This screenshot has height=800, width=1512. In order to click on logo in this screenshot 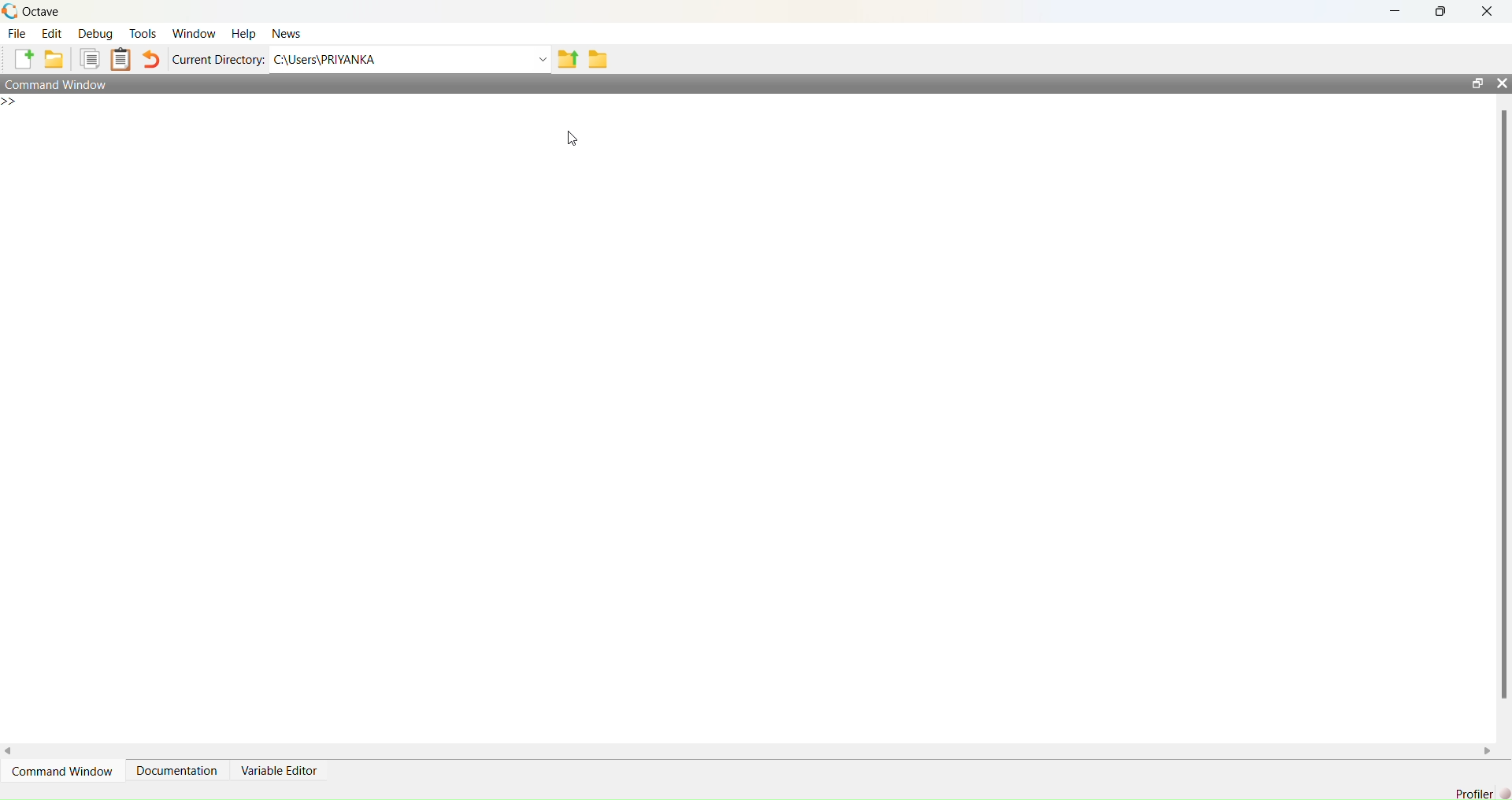, I will do `click(11, 12)`.